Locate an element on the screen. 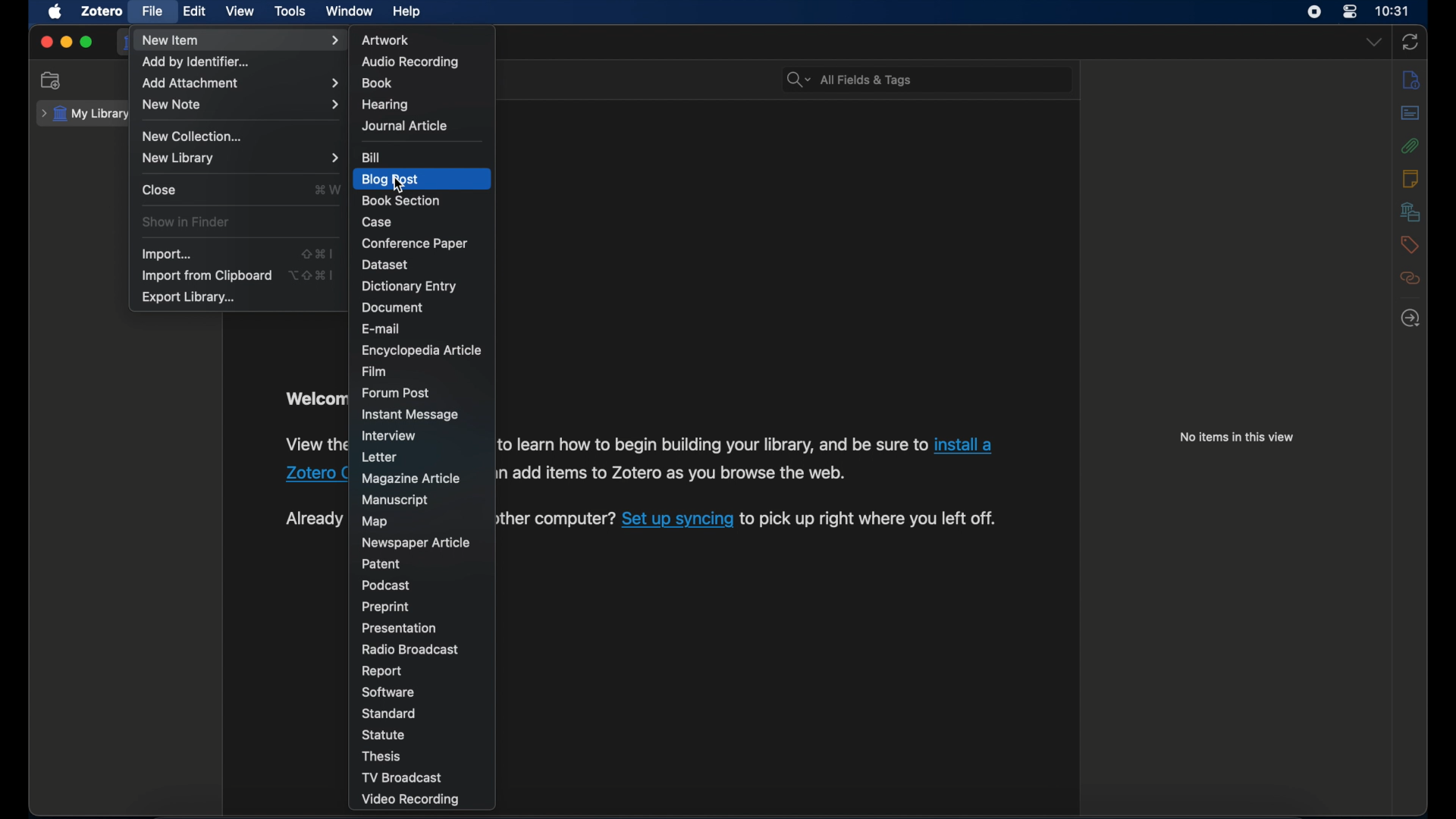 The height and width of the screenshot is (819, 1456). new collection is located at coordinates (51, 80).